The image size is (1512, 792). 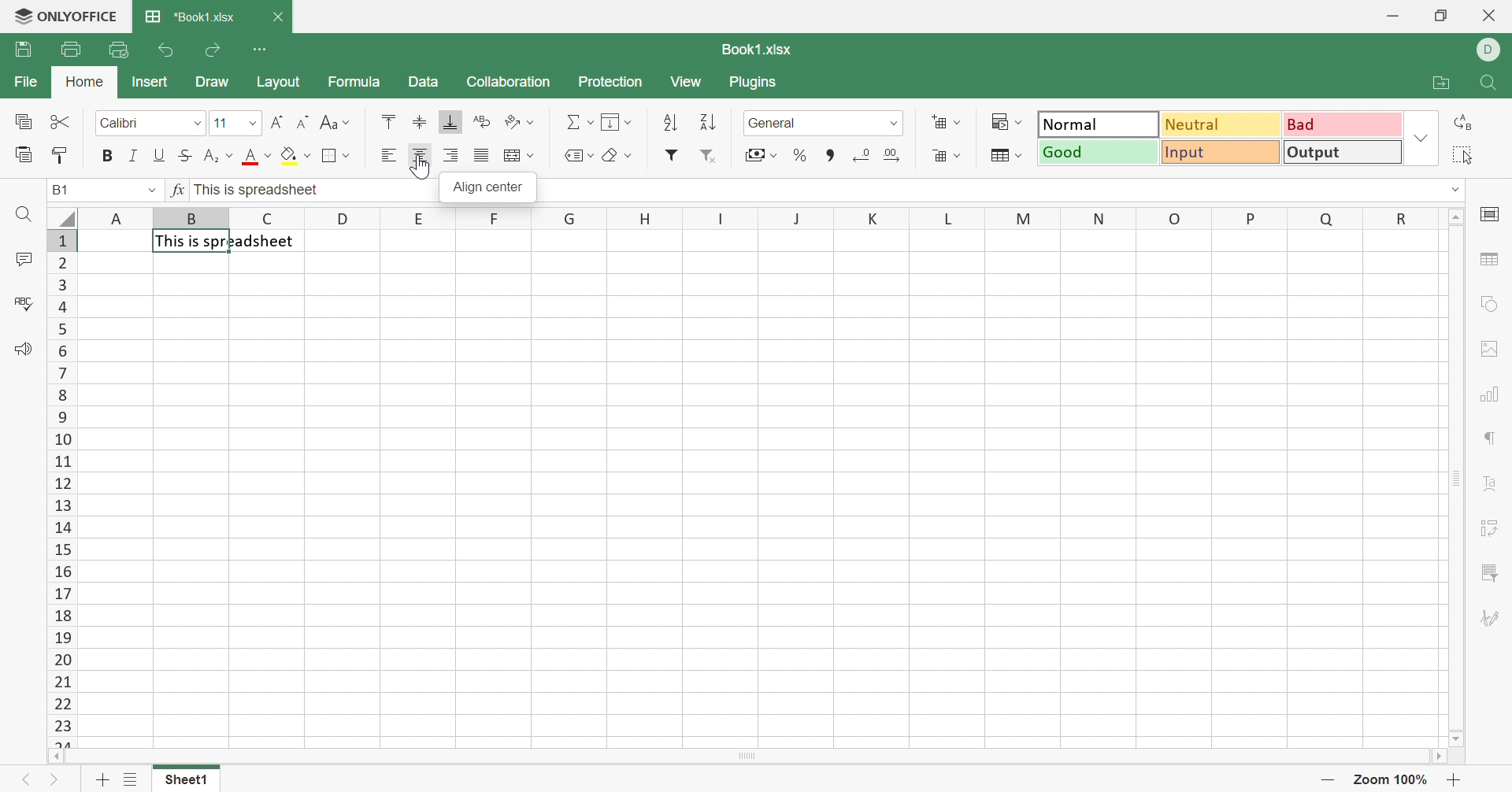 I want to click on Save, so click(x=22, y=48).